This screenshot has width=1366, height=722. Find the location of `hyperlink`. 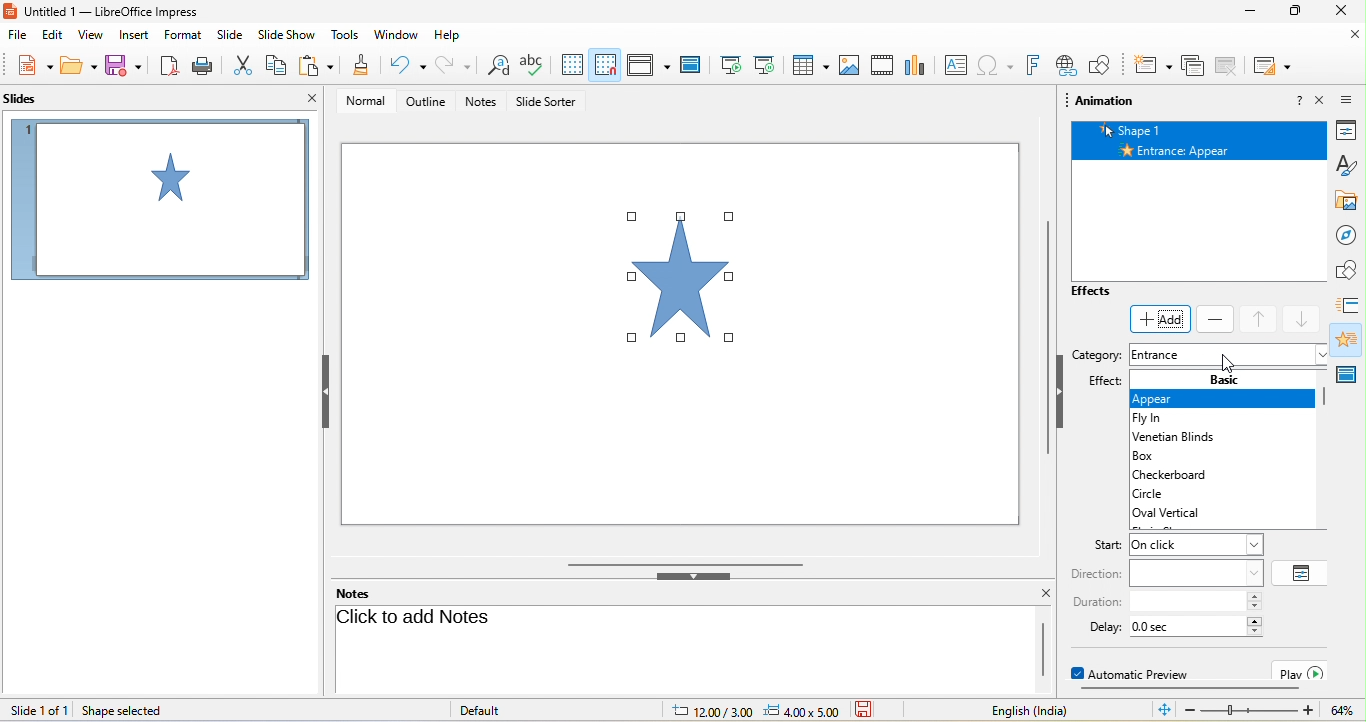

hyperlink is located at coordinates (1066, 65).